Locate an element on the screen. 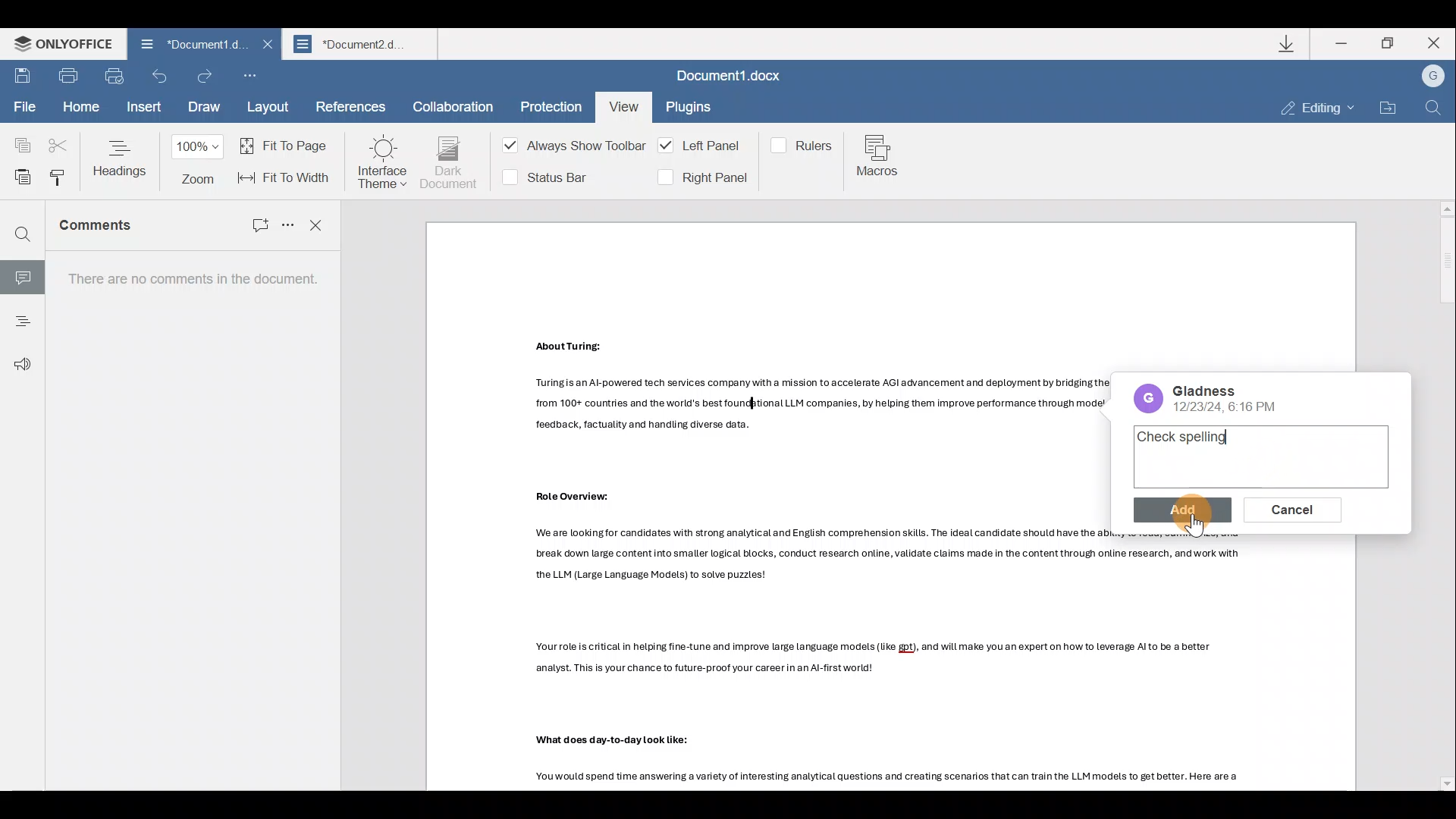 This screenshot has width=1456, height=819.  is located at coordinates (613, 741).